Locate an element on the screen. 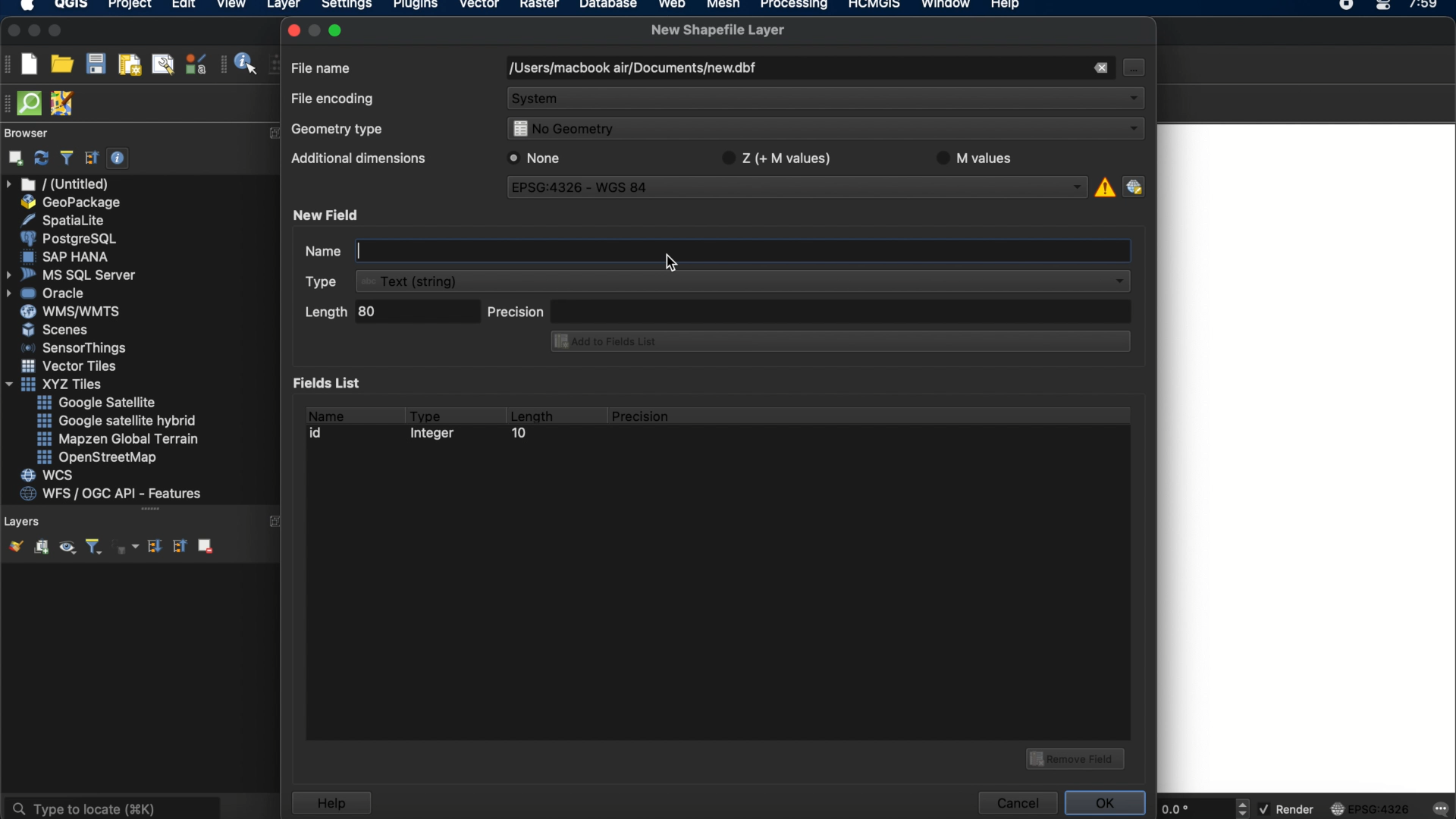 Image resolution: width=1456 pixels, height=819 pixels. file name is located at coordinates (322, 67).